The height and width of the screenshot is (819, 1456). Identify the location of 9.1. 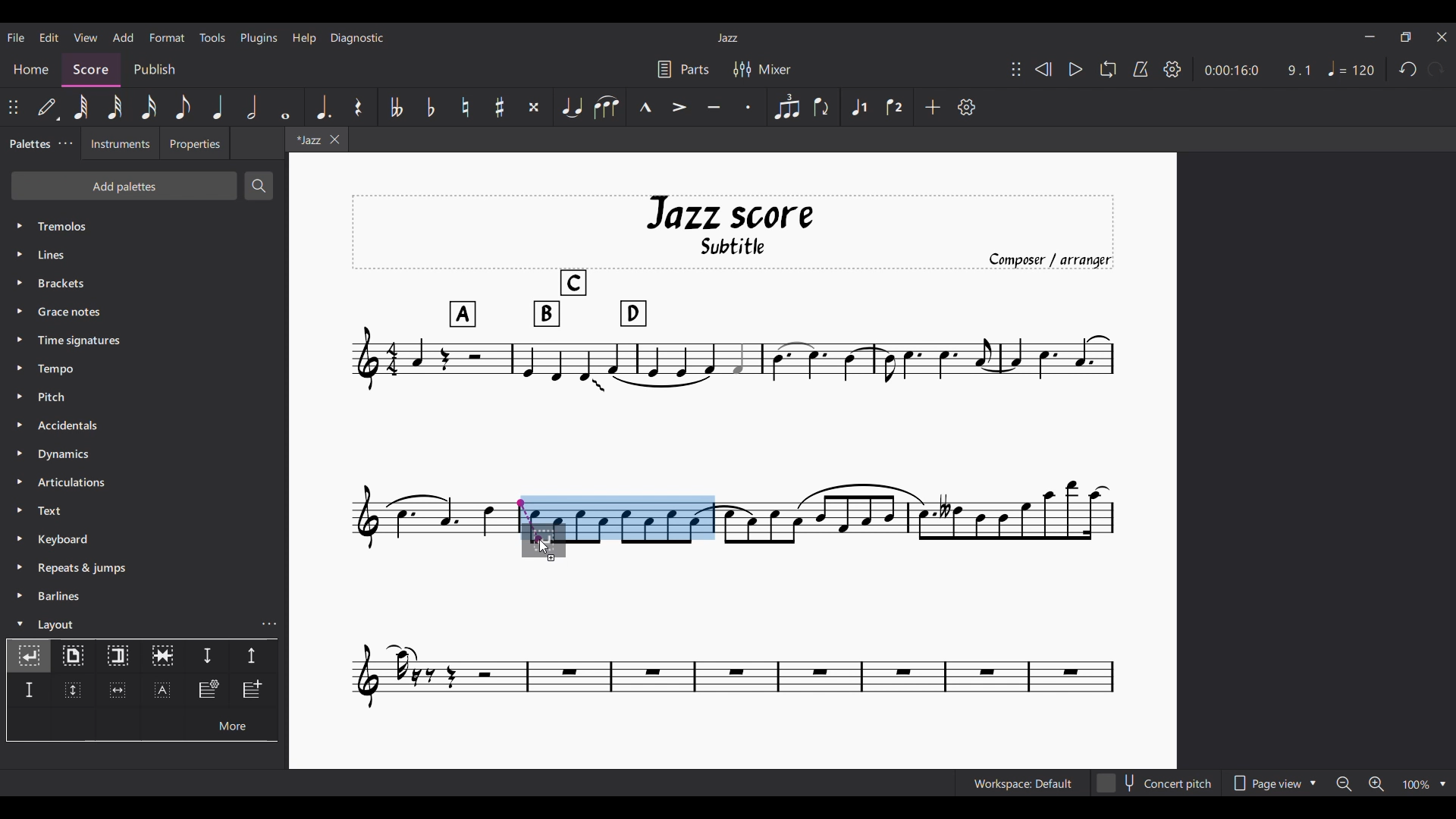
(1299, 71).